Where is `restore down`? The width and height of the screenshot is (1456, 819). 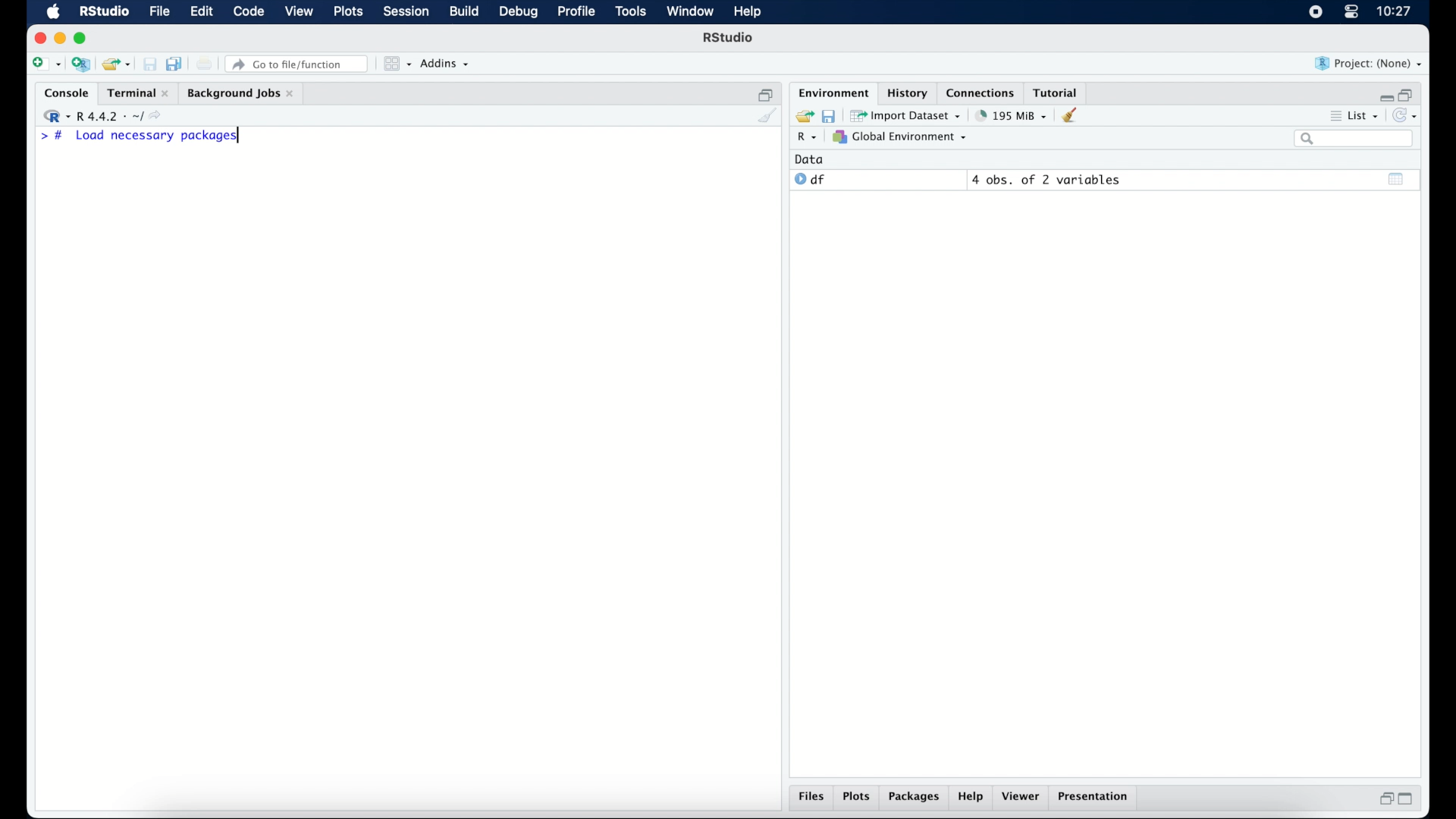
restore down is located at coordinates (1384, 800).